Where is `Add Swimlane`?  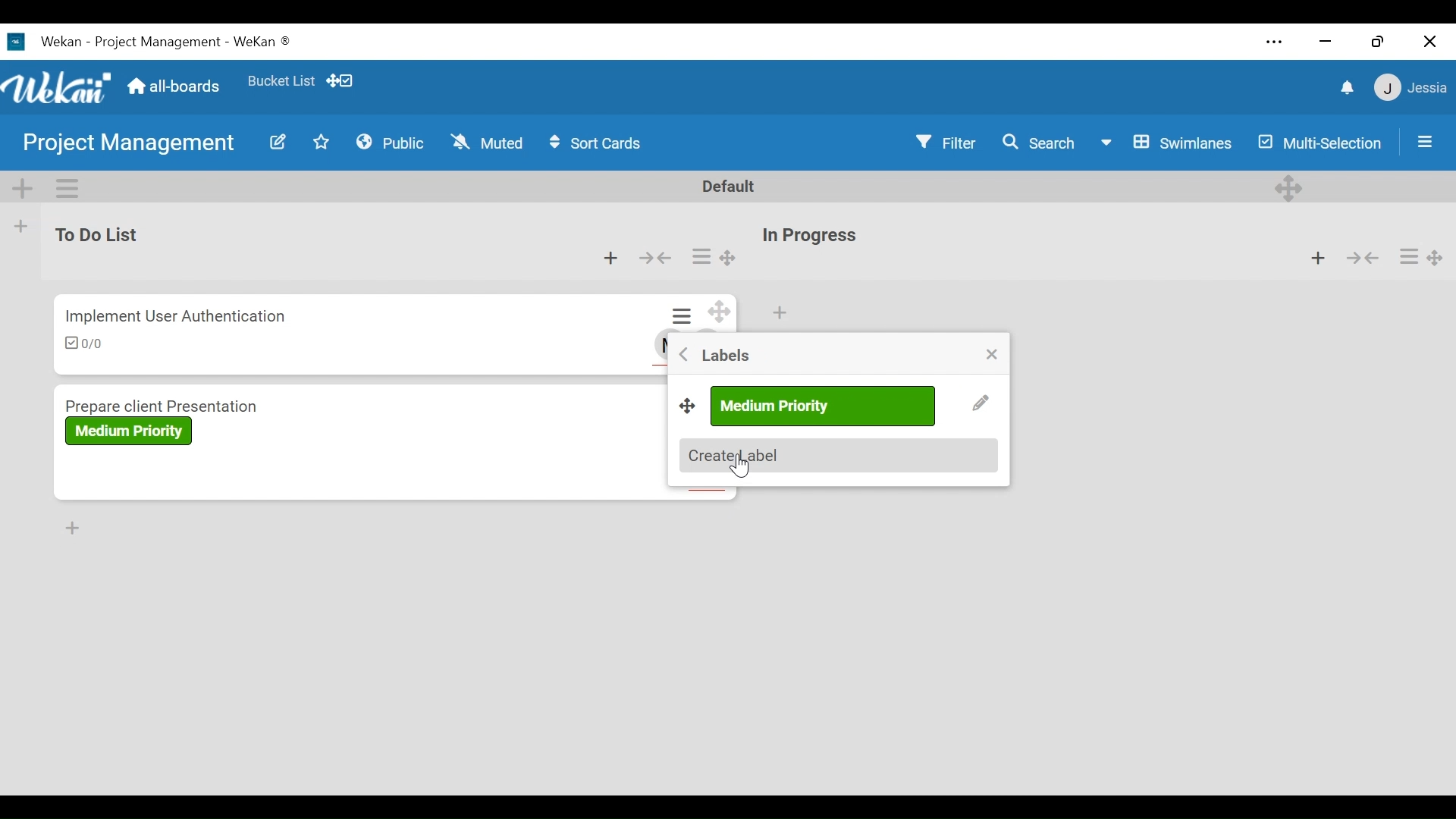
Add Swimlane is located at coordinates (22, 186).